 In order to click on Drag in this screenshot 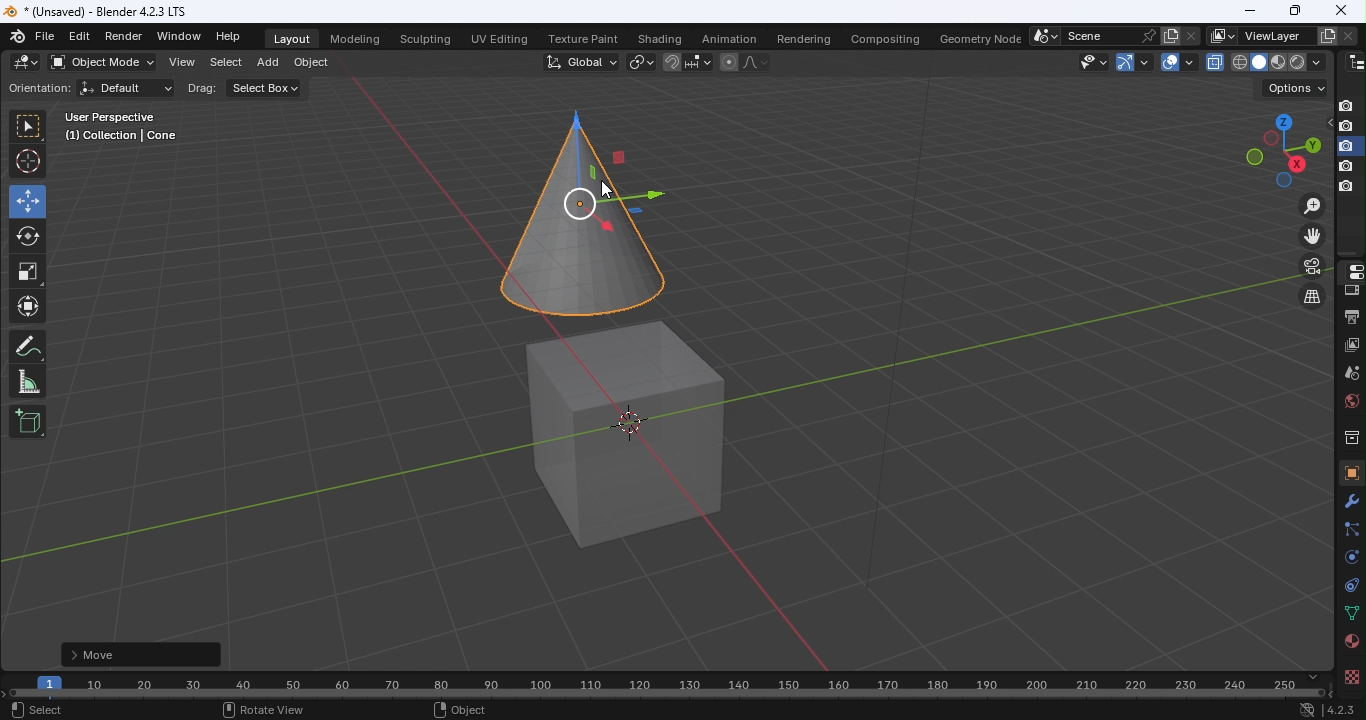, I will do `click(201, 88)`.